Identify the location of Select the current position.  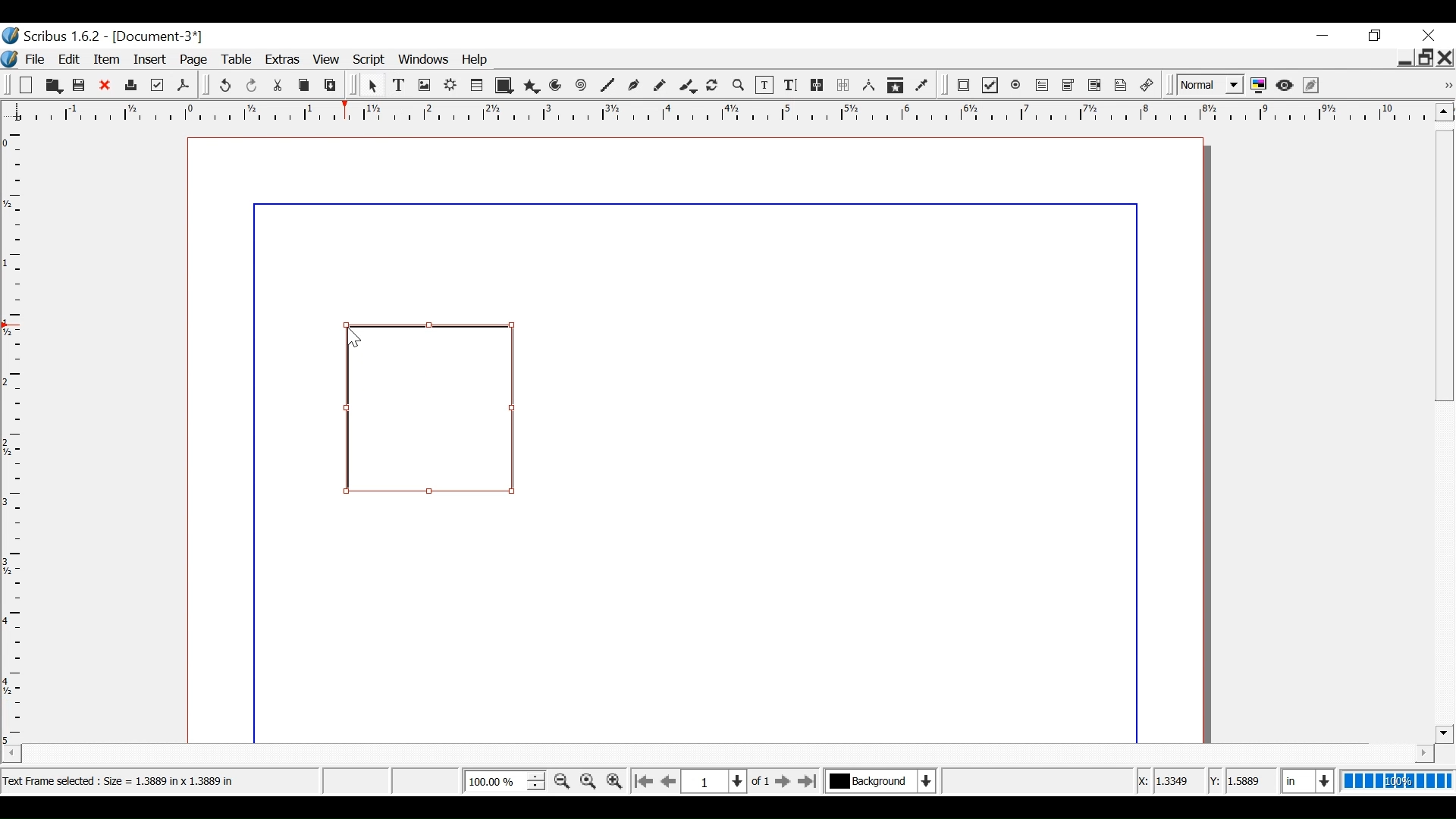
(716, 780).